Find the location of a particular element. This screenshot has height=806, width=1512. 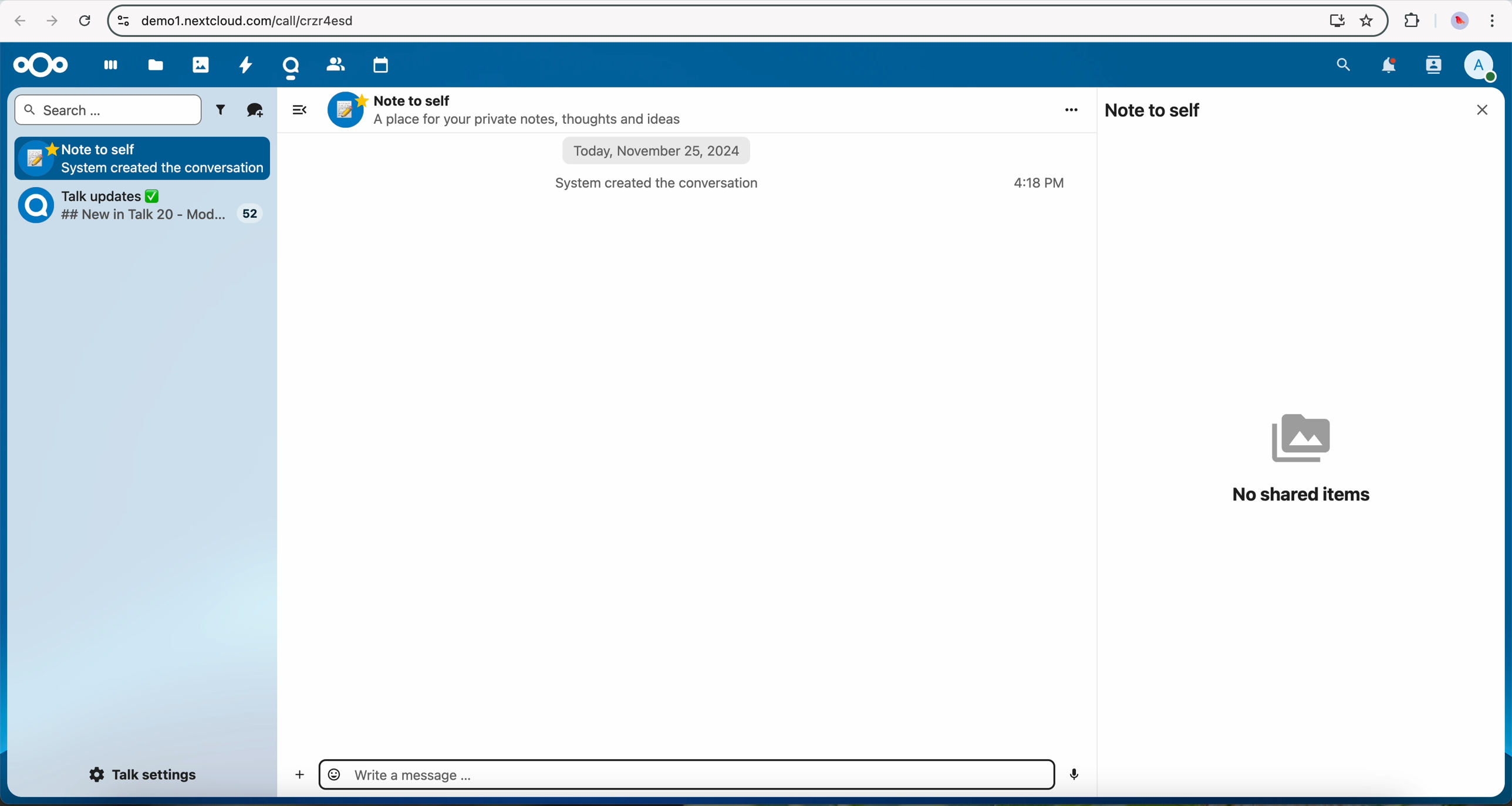

files is located at coordinates (157, 65).